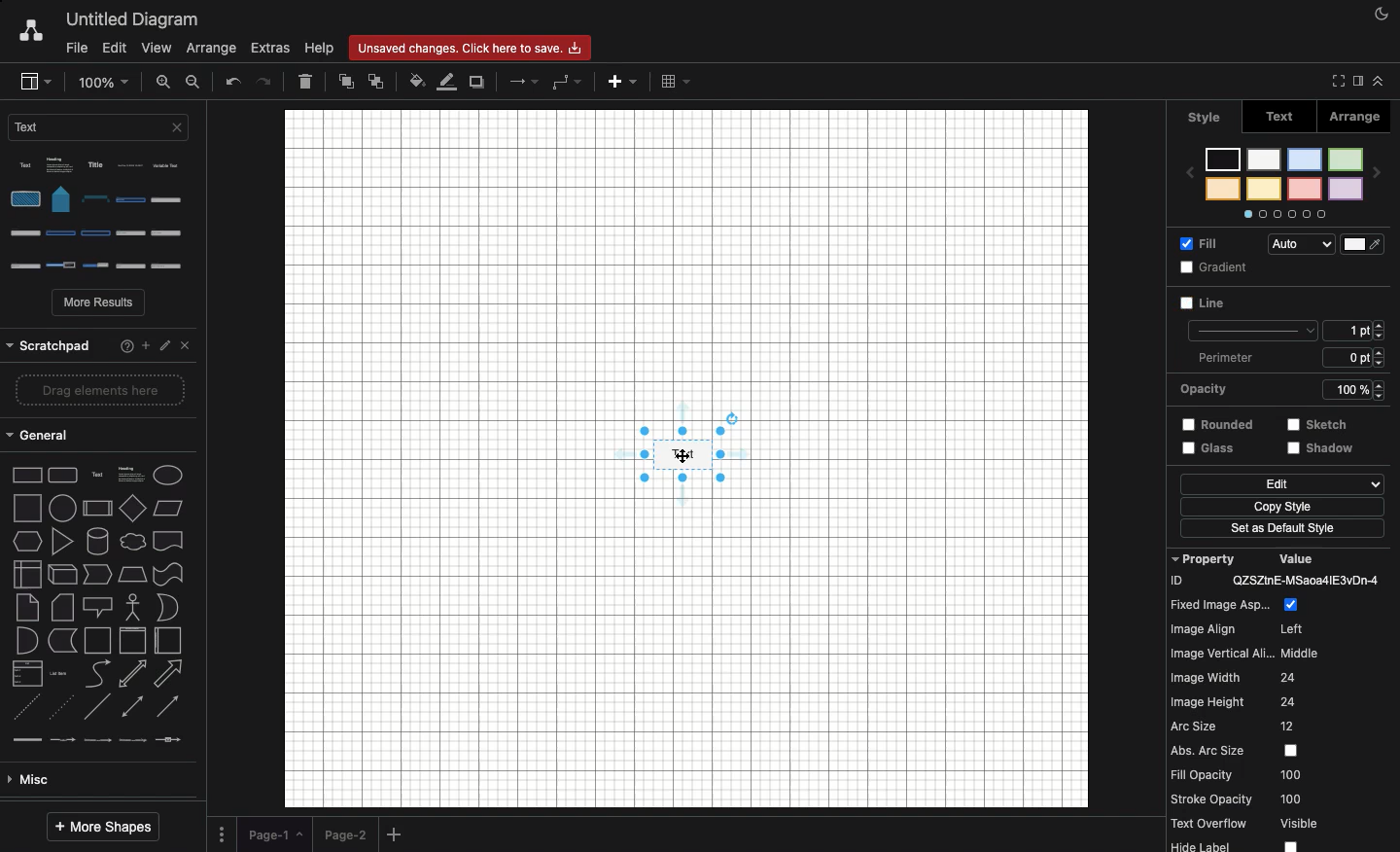  Describe the element at coordinates (1357, 120) in the screenshot. I see `Arrange` at that location.